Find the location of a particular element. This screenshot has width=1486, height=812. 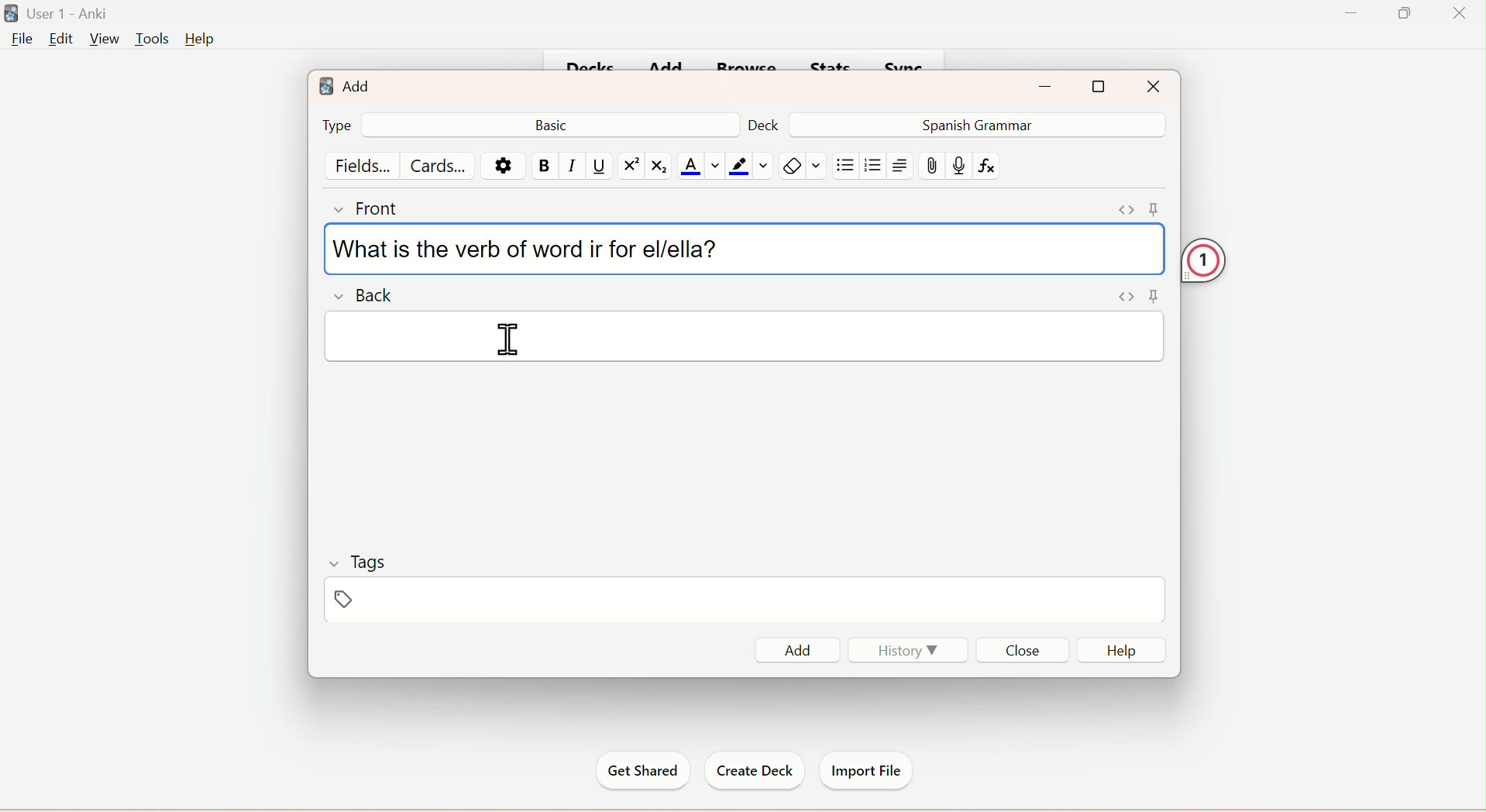

Tools is located at coordinates (148, 40).